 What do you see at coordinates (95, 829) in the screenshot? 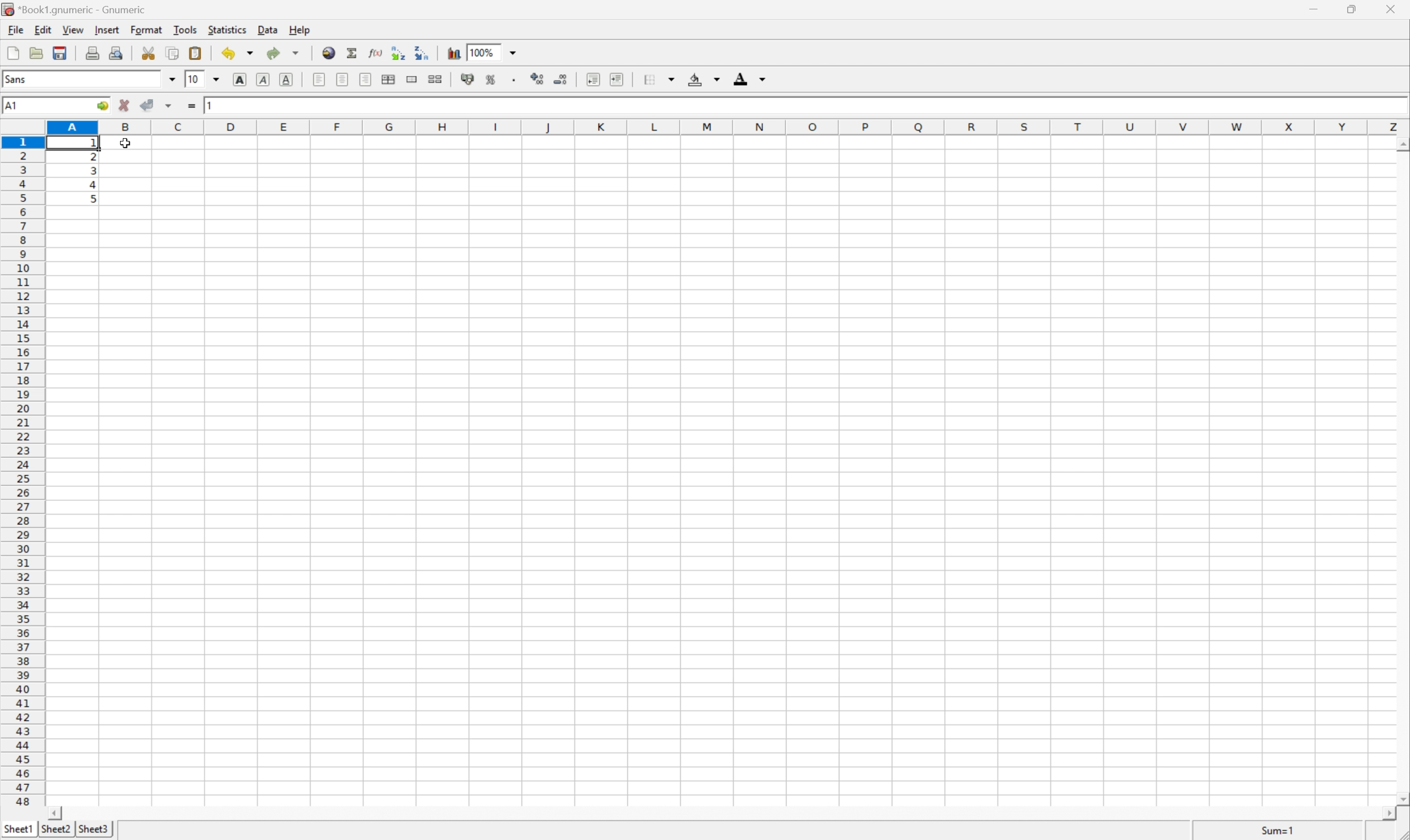
I see `Sheet3` at bounding box center [95, 829].